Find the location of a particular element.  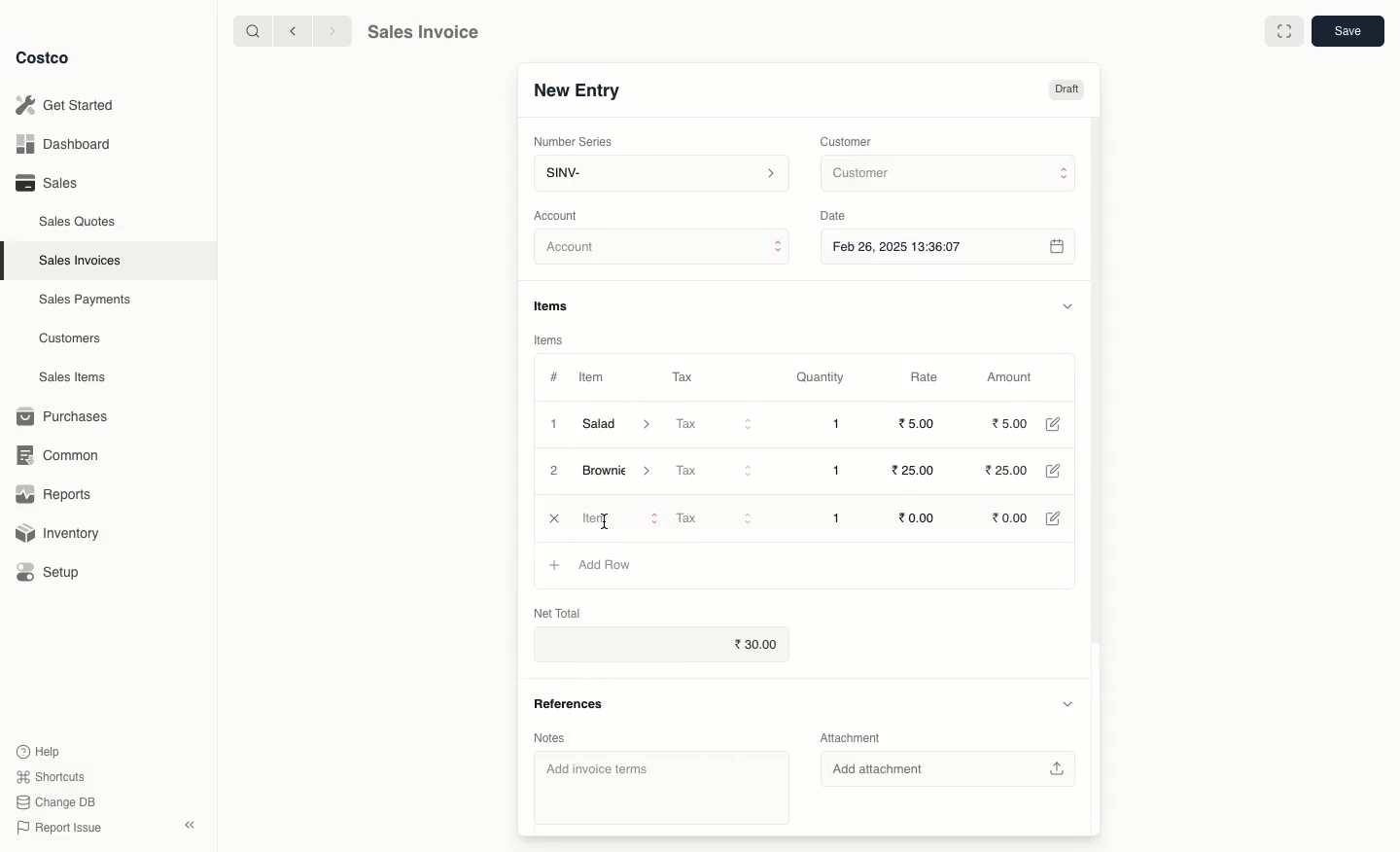

Edit is located at coordinates (1056, 472).